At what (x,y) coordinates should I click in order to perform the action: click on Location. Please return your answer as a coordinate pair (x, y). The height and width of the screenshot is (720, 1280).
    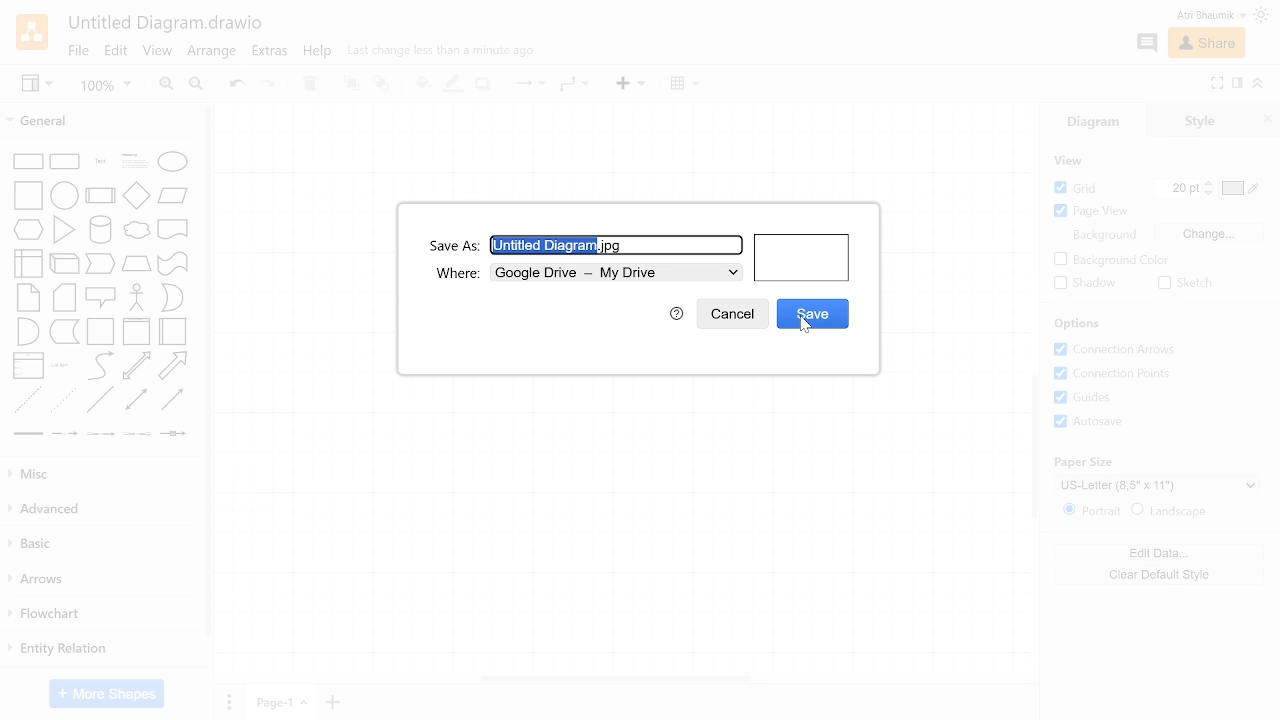
    Looking at the image, I should click on (616, 273).